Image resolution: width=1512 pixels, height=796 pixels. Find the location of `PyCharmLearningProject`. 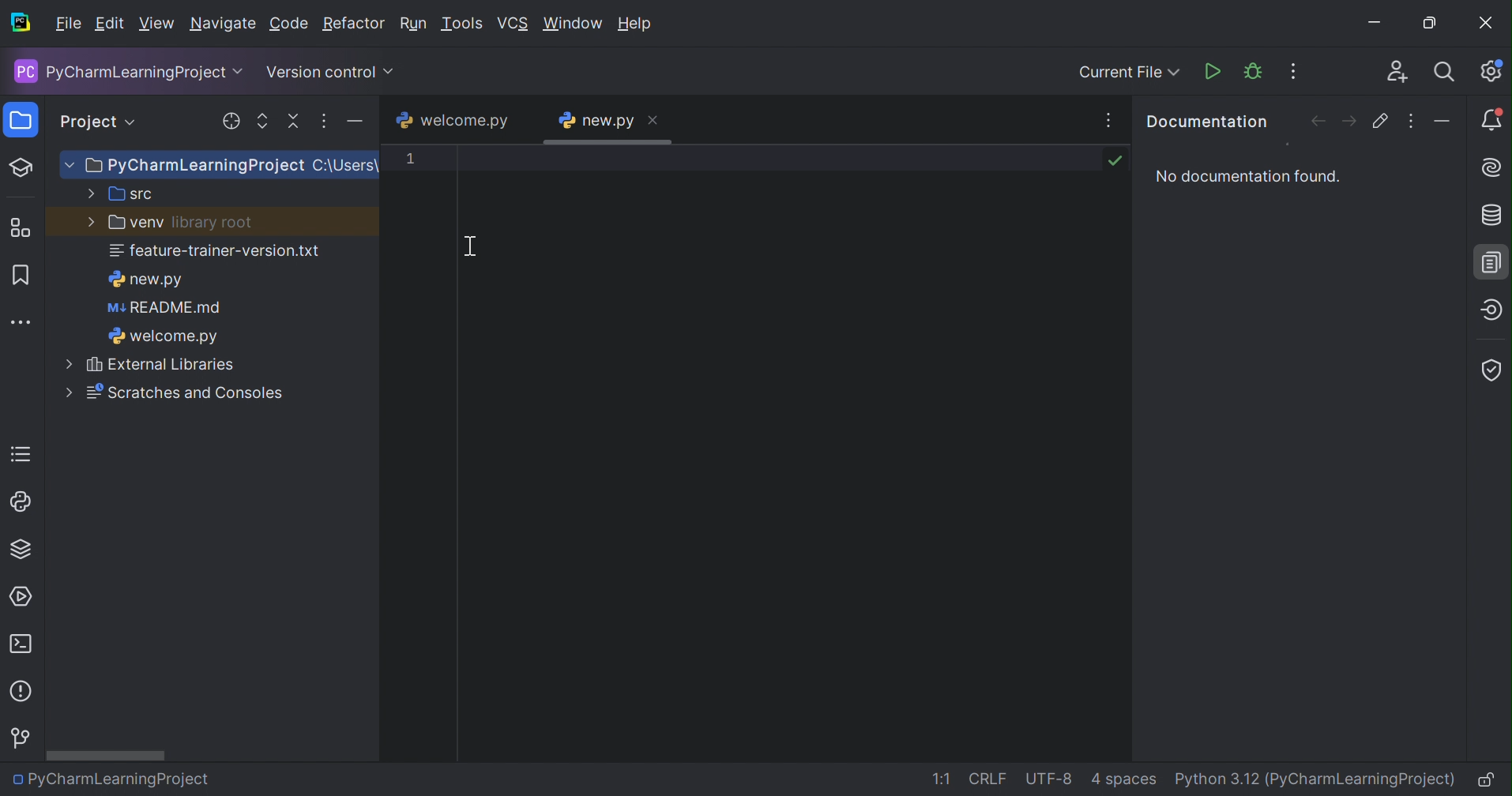

PyCharmLearningProject is located at coordinates (181, 167).